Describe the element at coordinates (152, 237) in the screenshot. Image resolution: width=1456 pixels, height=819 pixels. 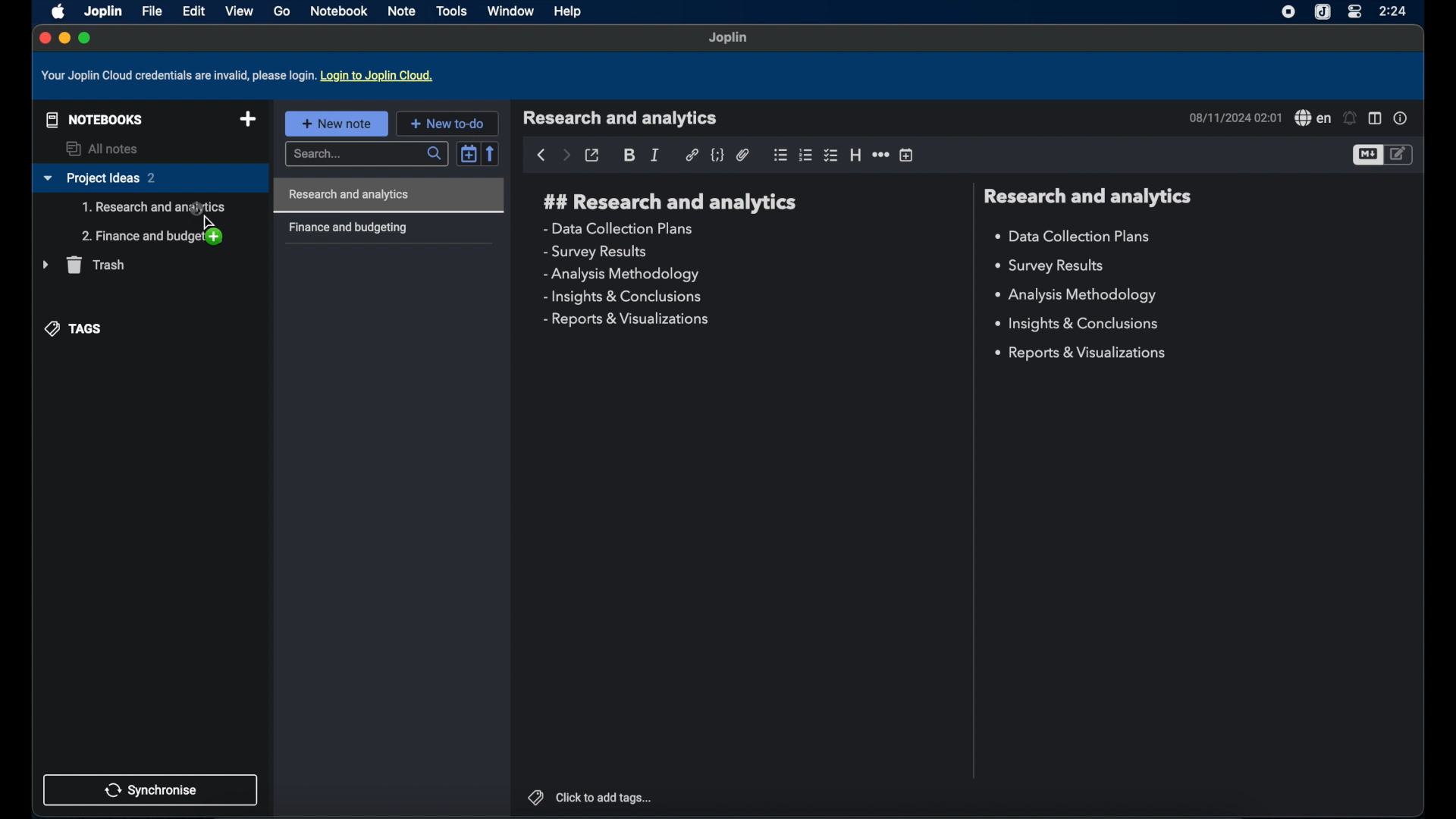
I see `sub-notebook(Finance and budget)` at that location.